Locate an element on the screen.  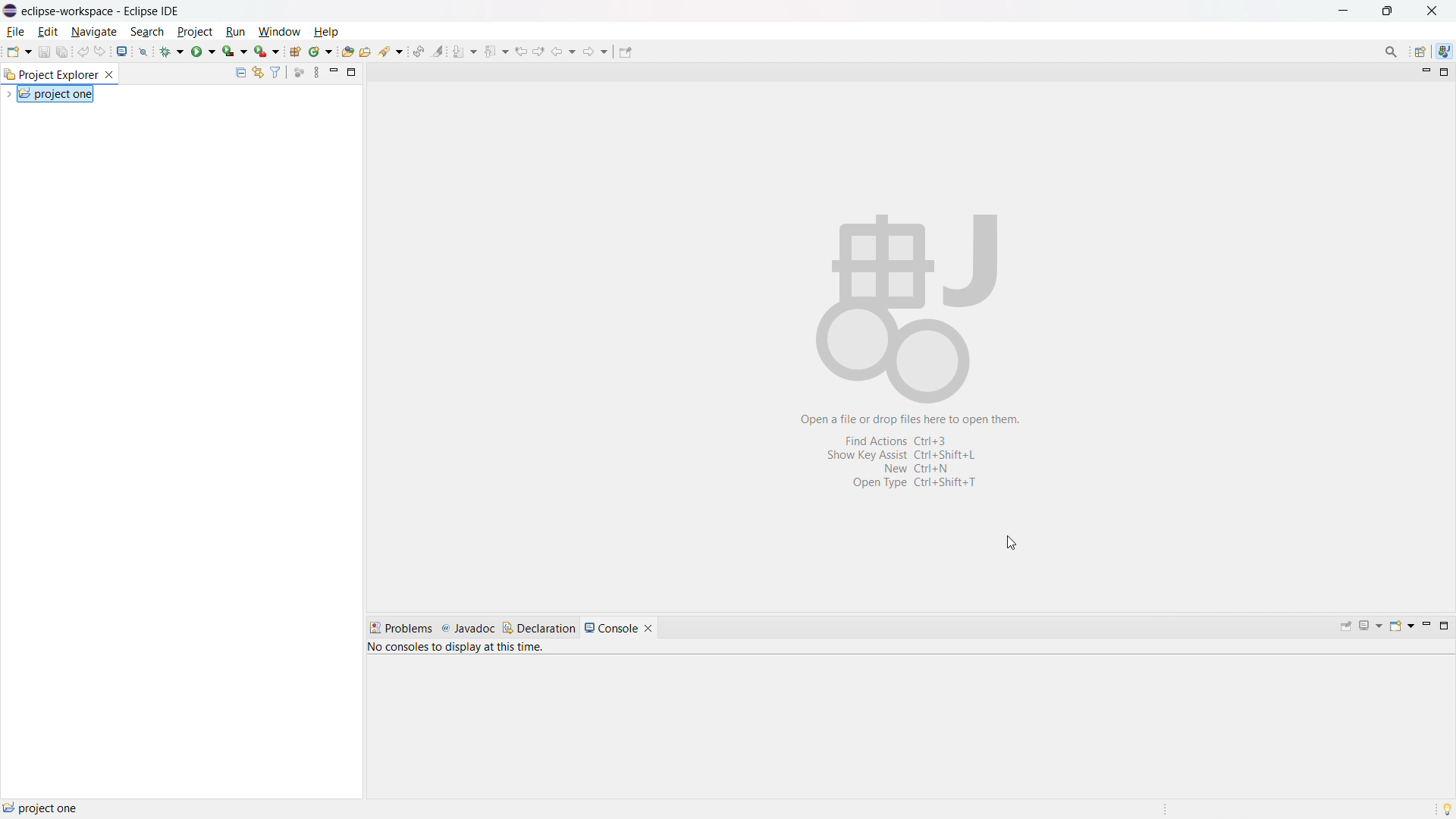
close project explorer is located at coordinates (109, 75).